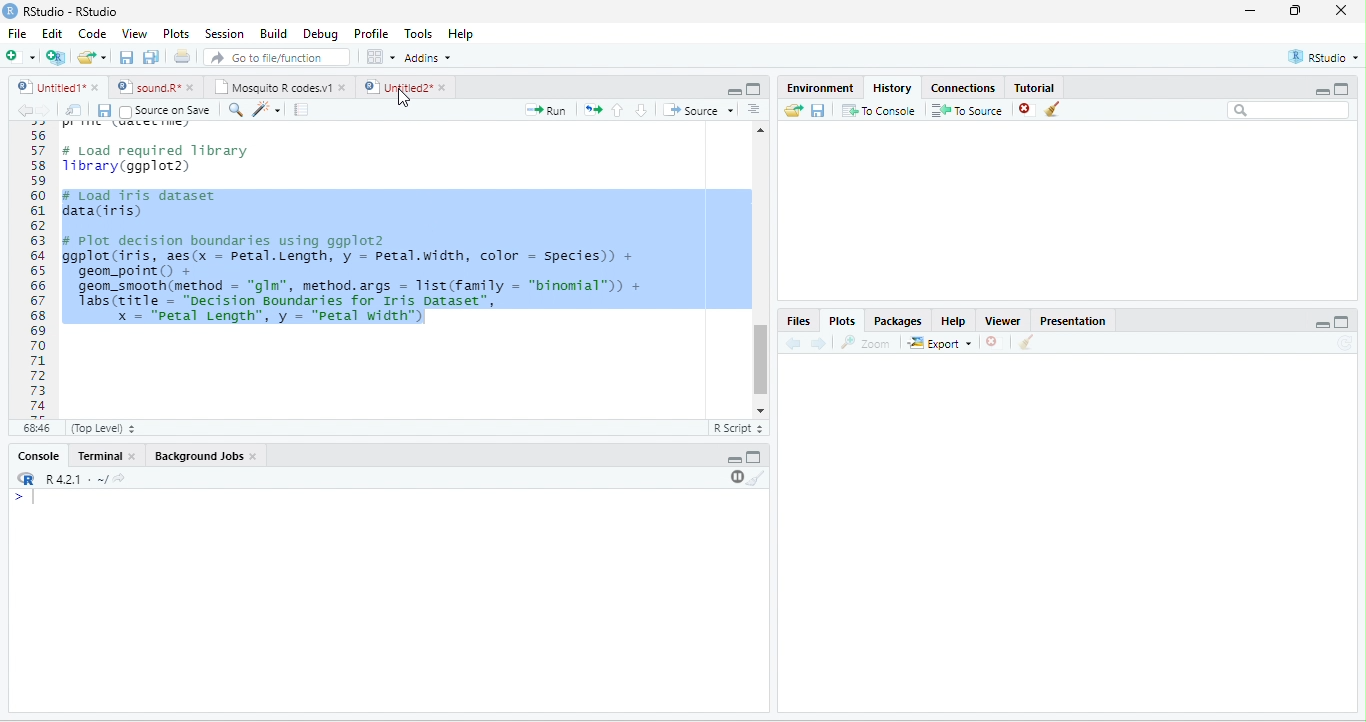 This screenshot has width=1366, height=722. What do you see at coordinates (349, 255) in the screenshot?
I see `# Plot decision boundaries using ggplot2
ggplot(iris, aes(x = petal.Length, y = Petal.width, color = Species) +
geom_point() +` at bounding box center [349, 255].